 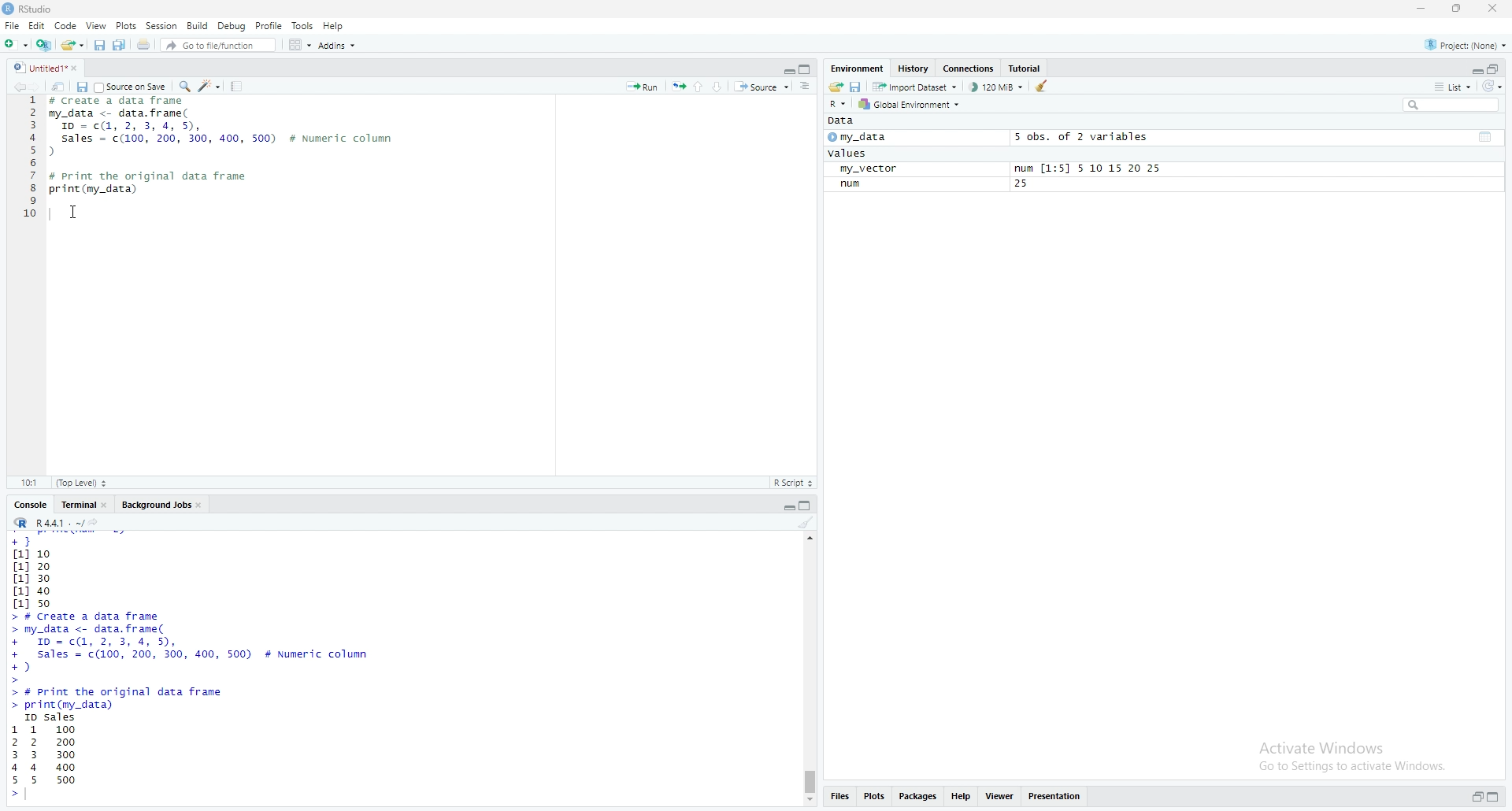 I want to click on go to previous section/chunk, so click(x=701, y=87).